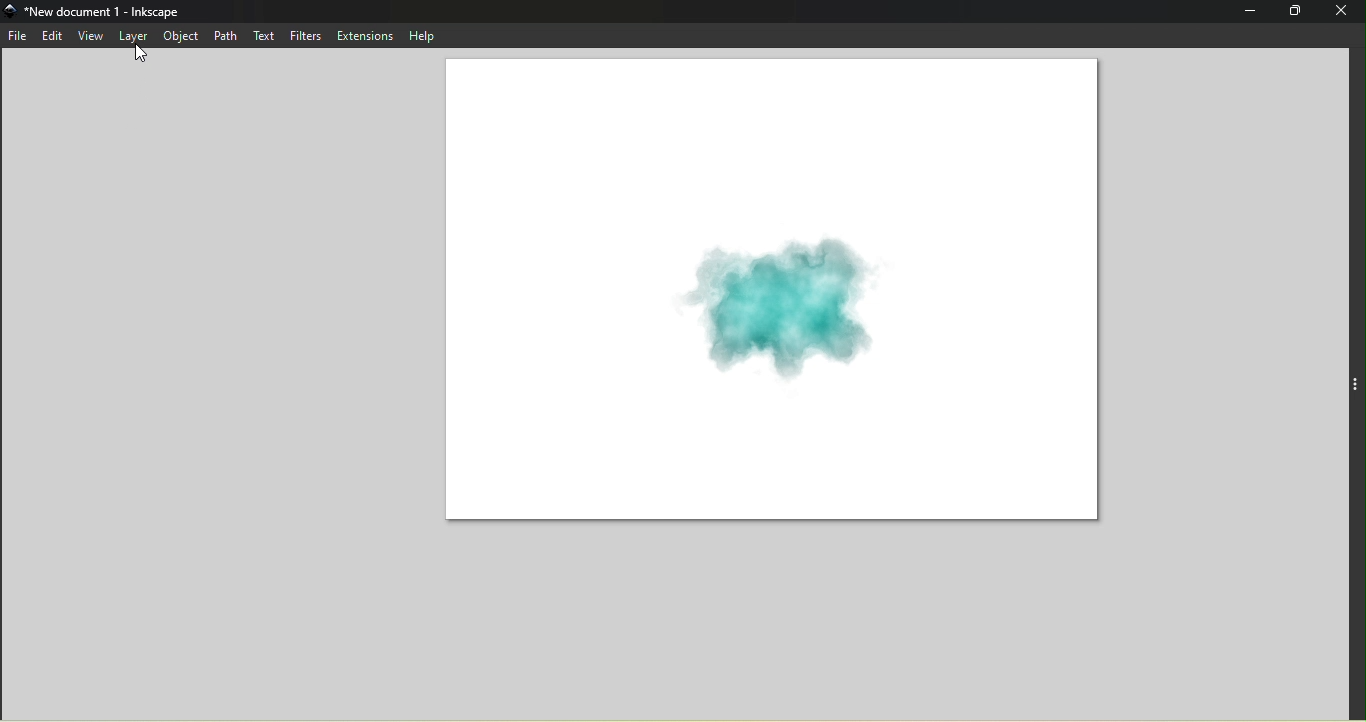 The image size is (1366, 722). What do you see at coordinates (222, 34) in the screenshot?
I see `Path` at bounding box center [222, 34].